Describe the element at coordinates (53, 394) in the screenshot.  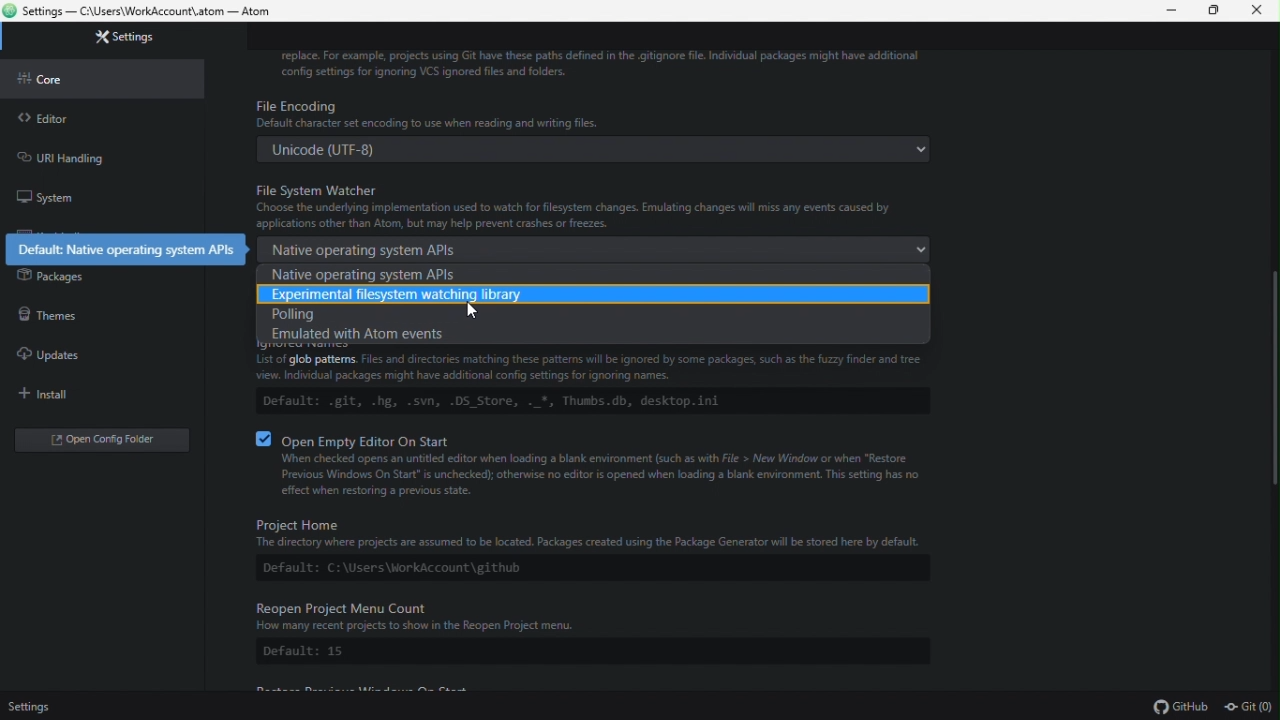
I see `Install` at that location.